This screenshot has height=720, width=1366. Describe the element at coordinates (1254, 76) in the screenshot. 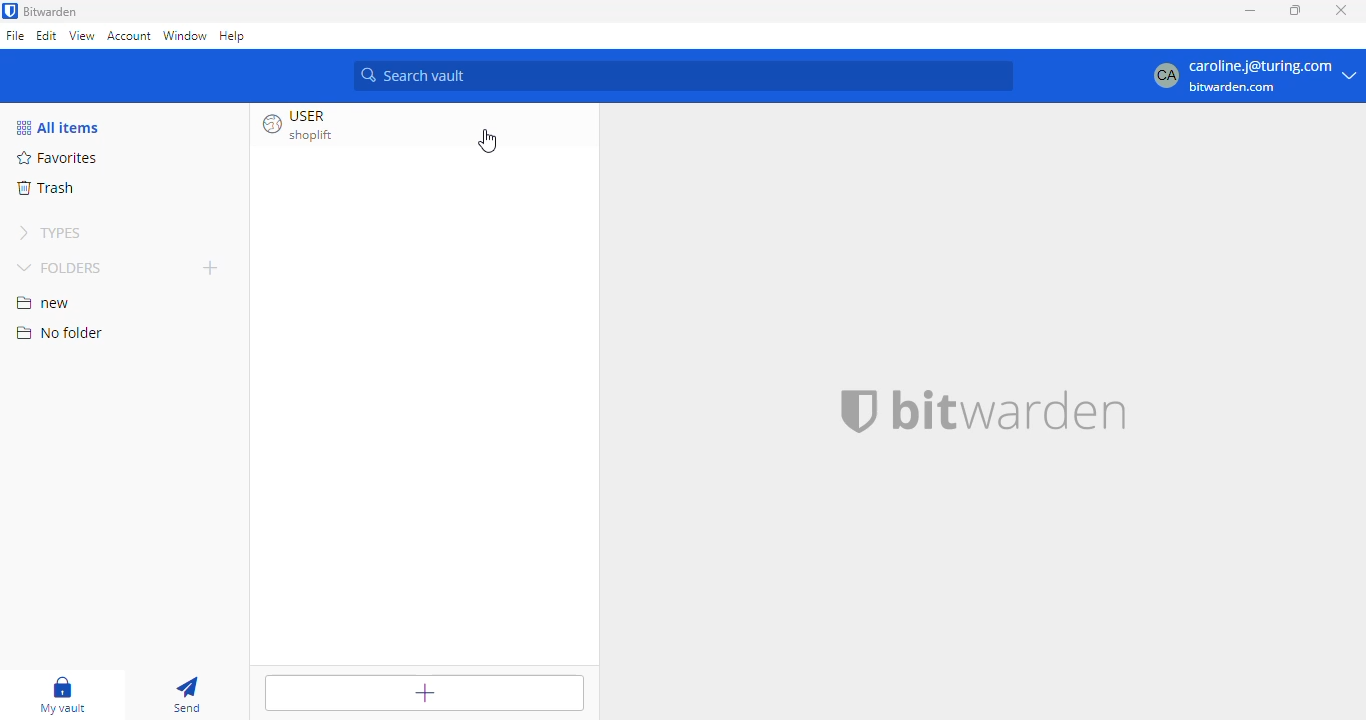

I see `caroline.j@turing.com   bitwarden.com` at that location.